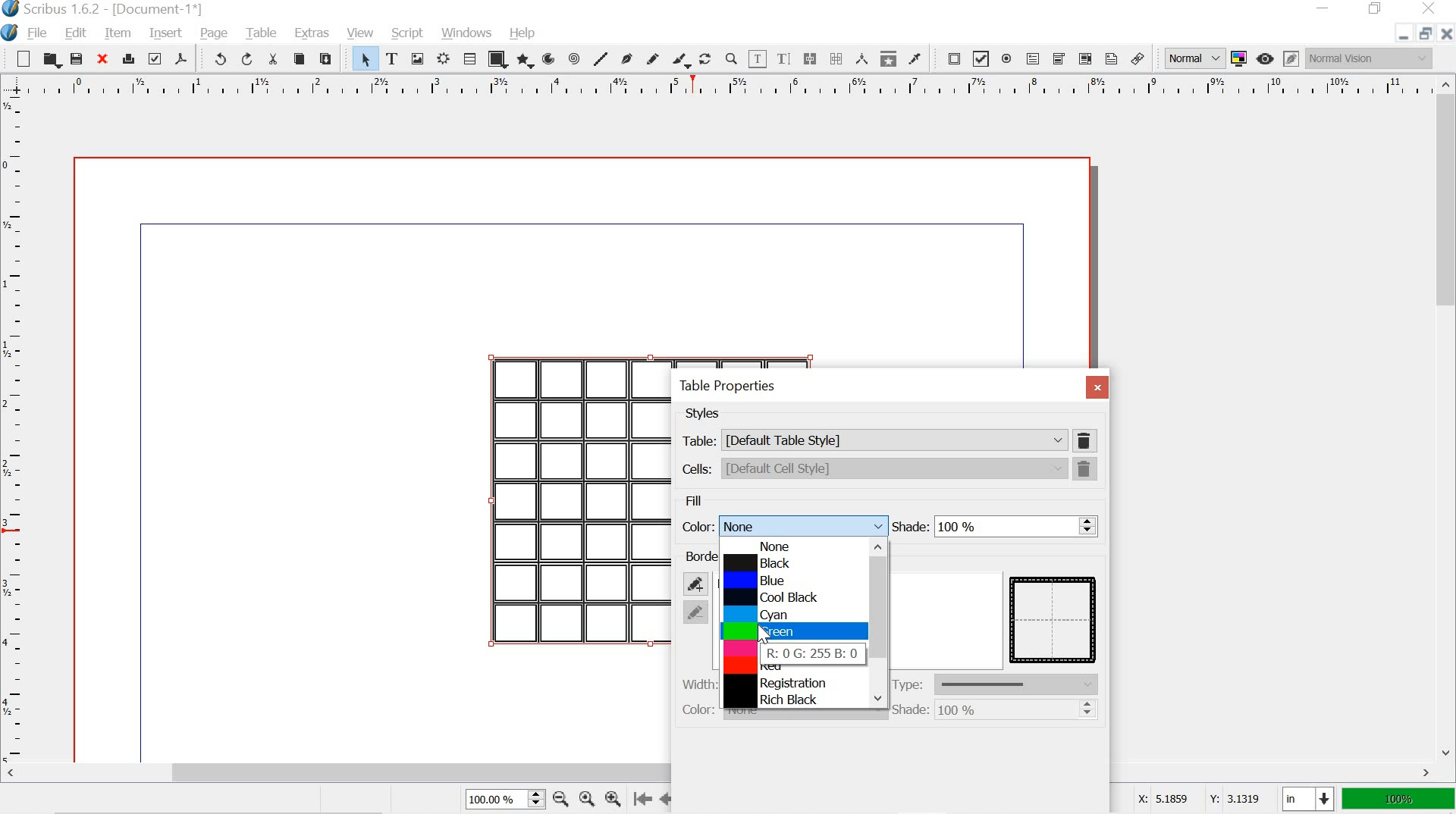 This screenshot has height=814, width=1456. What do you see at coordinates (1059, 59) in the screenshot?
I see `pdf combo box` at bounding box center [1059, 59].